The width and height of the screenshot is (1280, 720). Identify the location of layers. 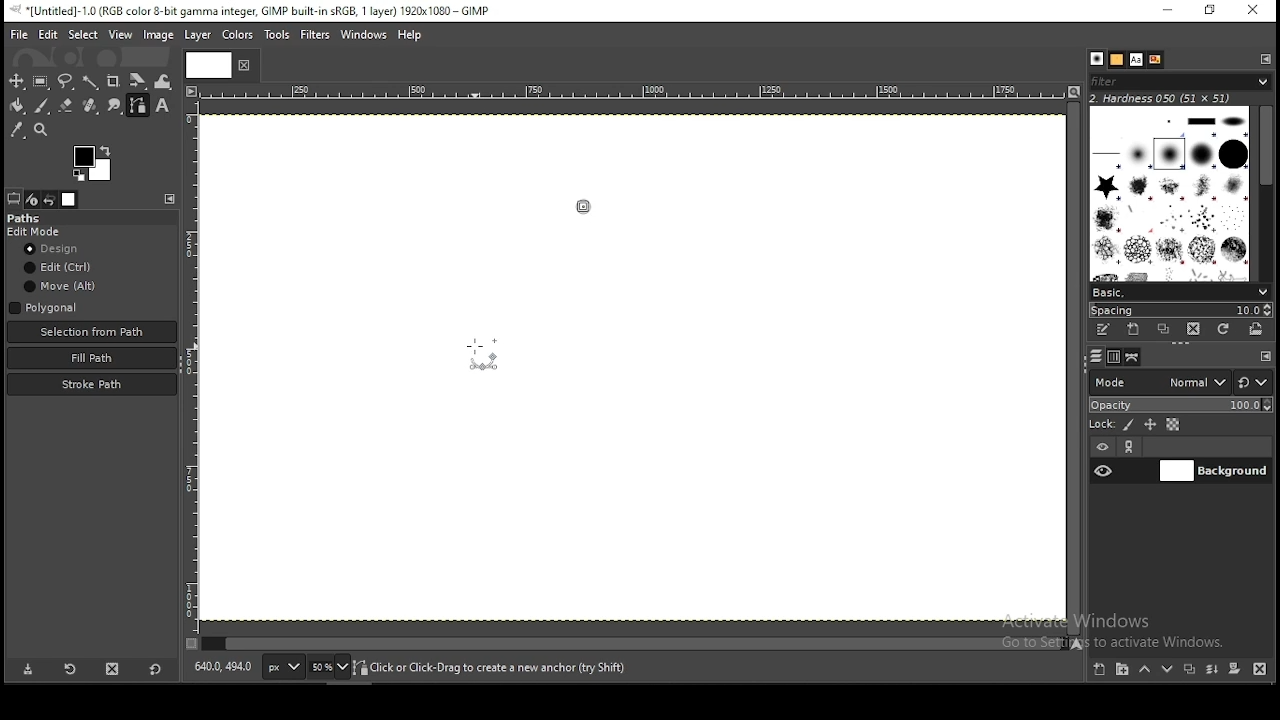
(1097, 356).